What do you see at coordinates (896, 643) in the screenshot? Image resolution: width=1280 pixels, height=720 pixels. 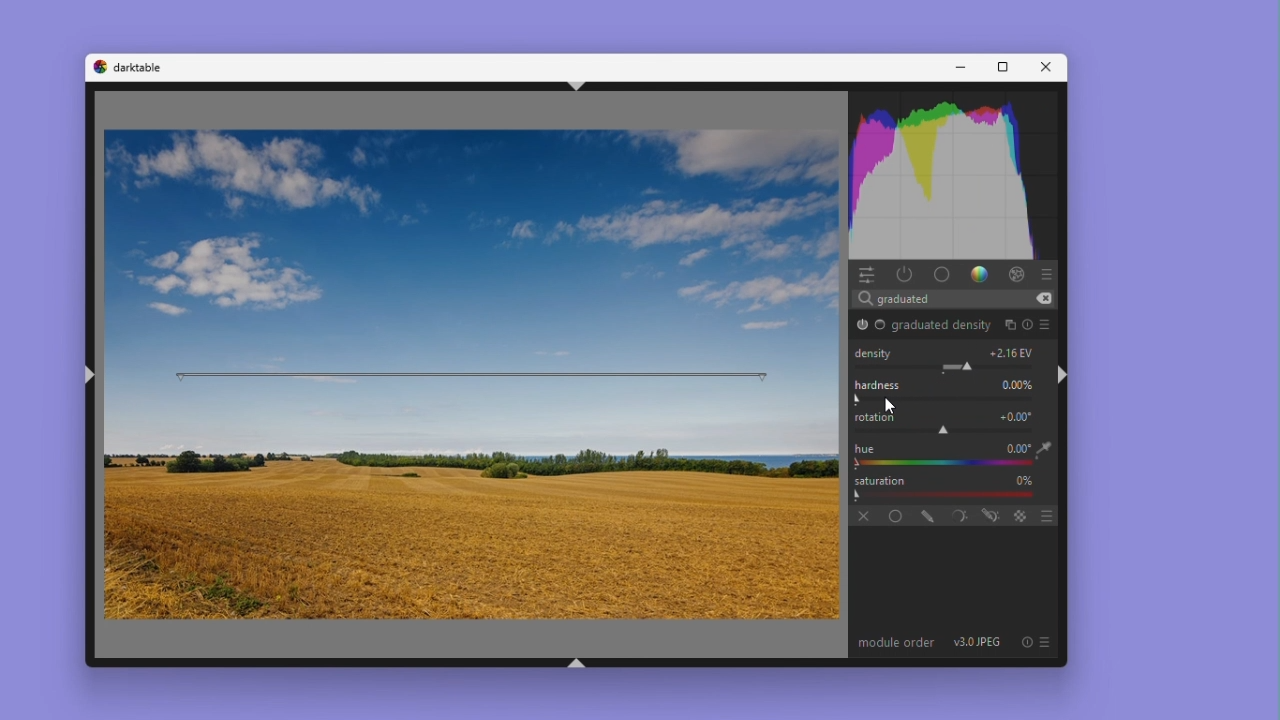 I see `module order` at bounding box center [896, 643].